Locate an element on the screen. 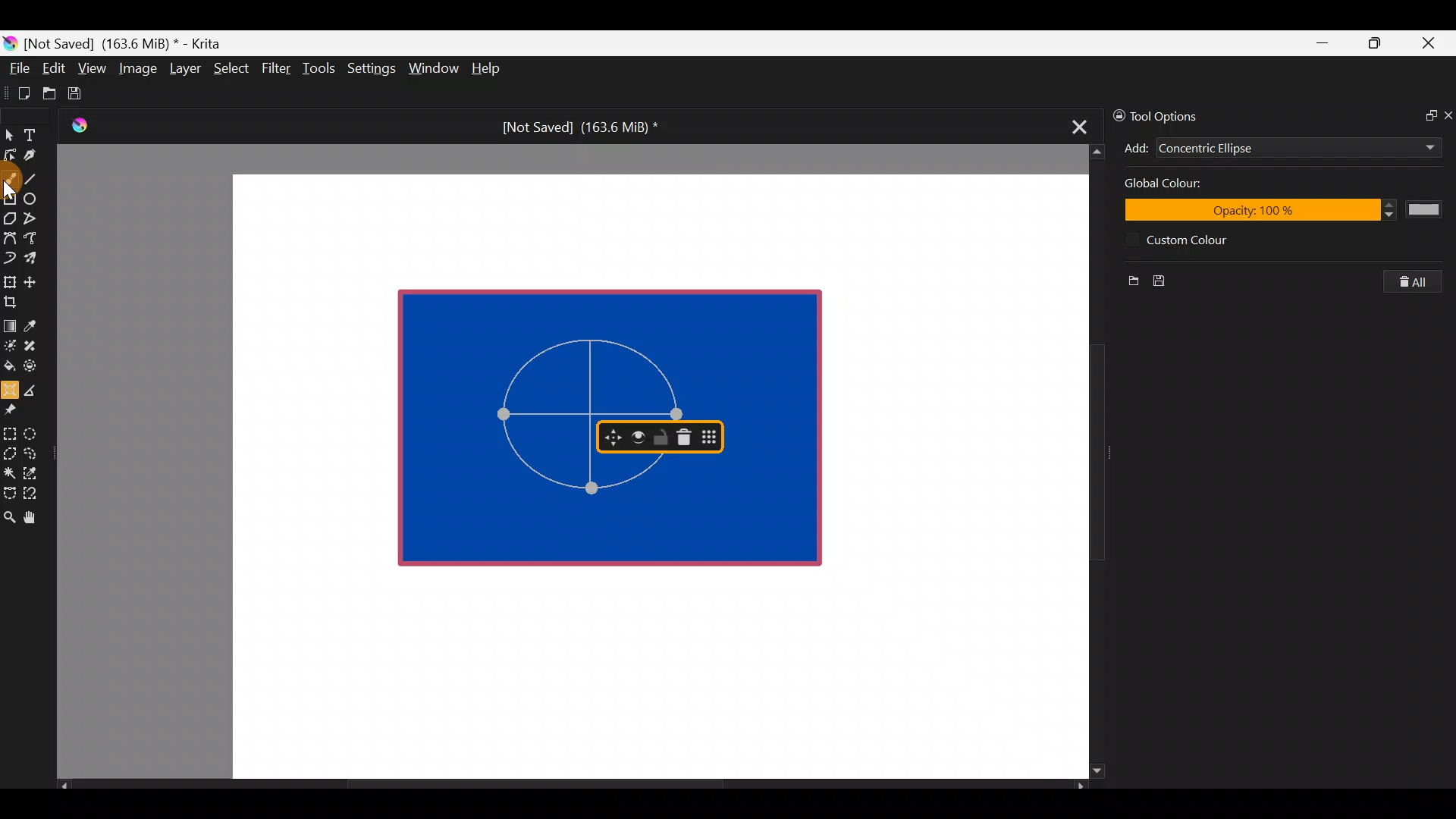  Layer is located at coordinates (184, 72).